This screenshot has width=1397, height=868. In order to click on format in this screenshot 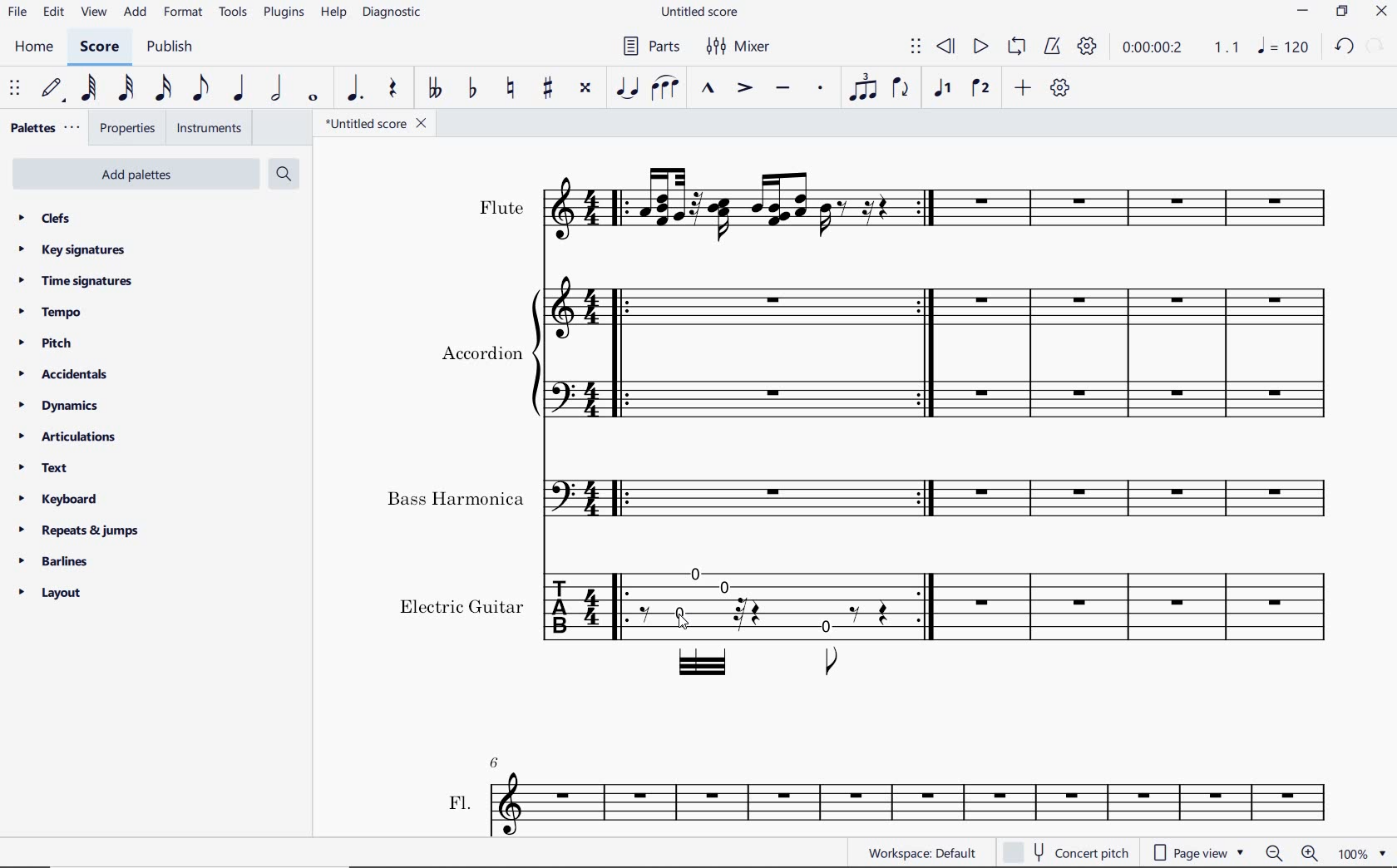, I will do `click(184, 15)`.